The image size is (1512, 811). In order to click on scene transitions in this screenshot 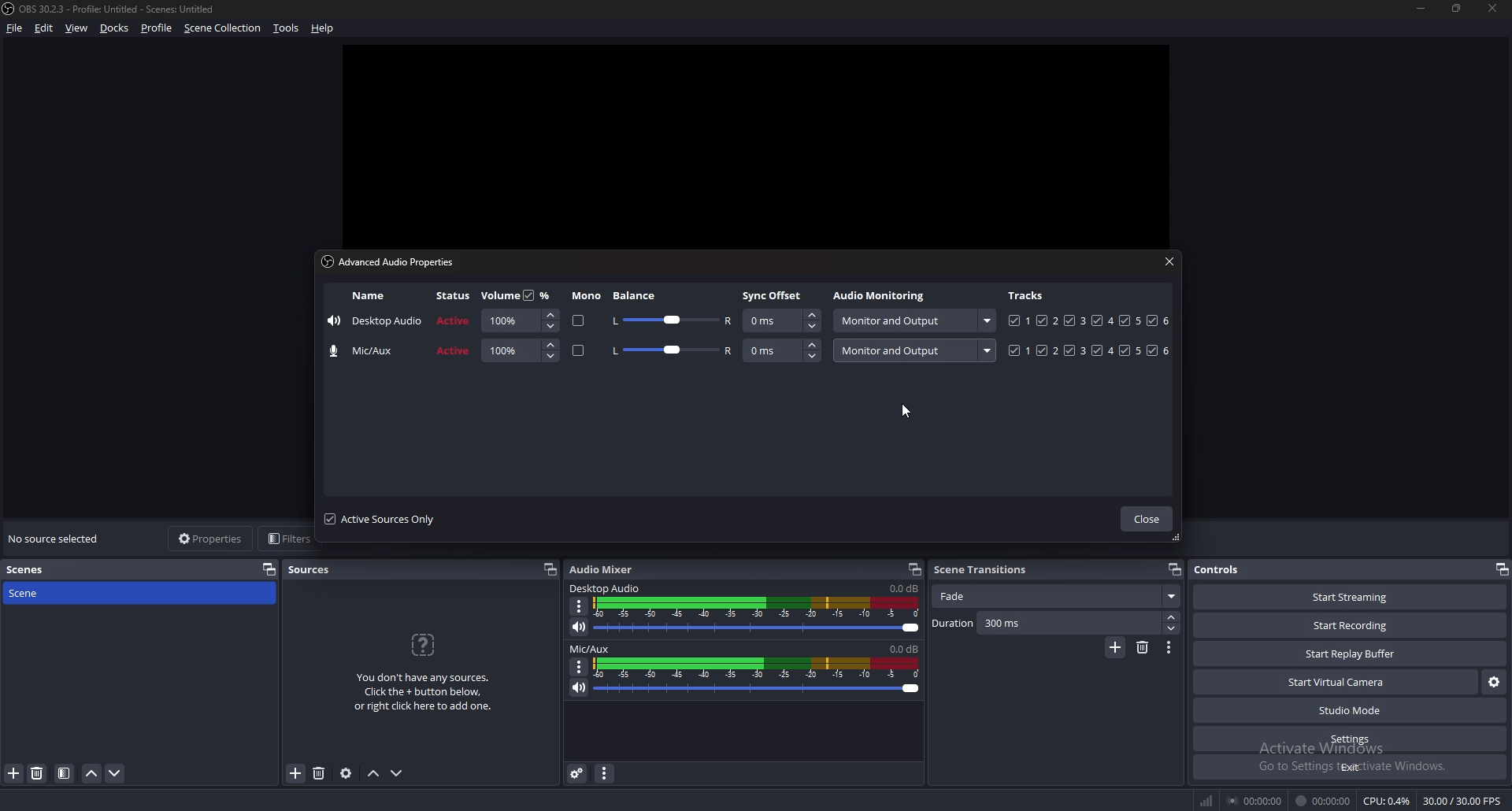, I will do `click(983, 569)`.